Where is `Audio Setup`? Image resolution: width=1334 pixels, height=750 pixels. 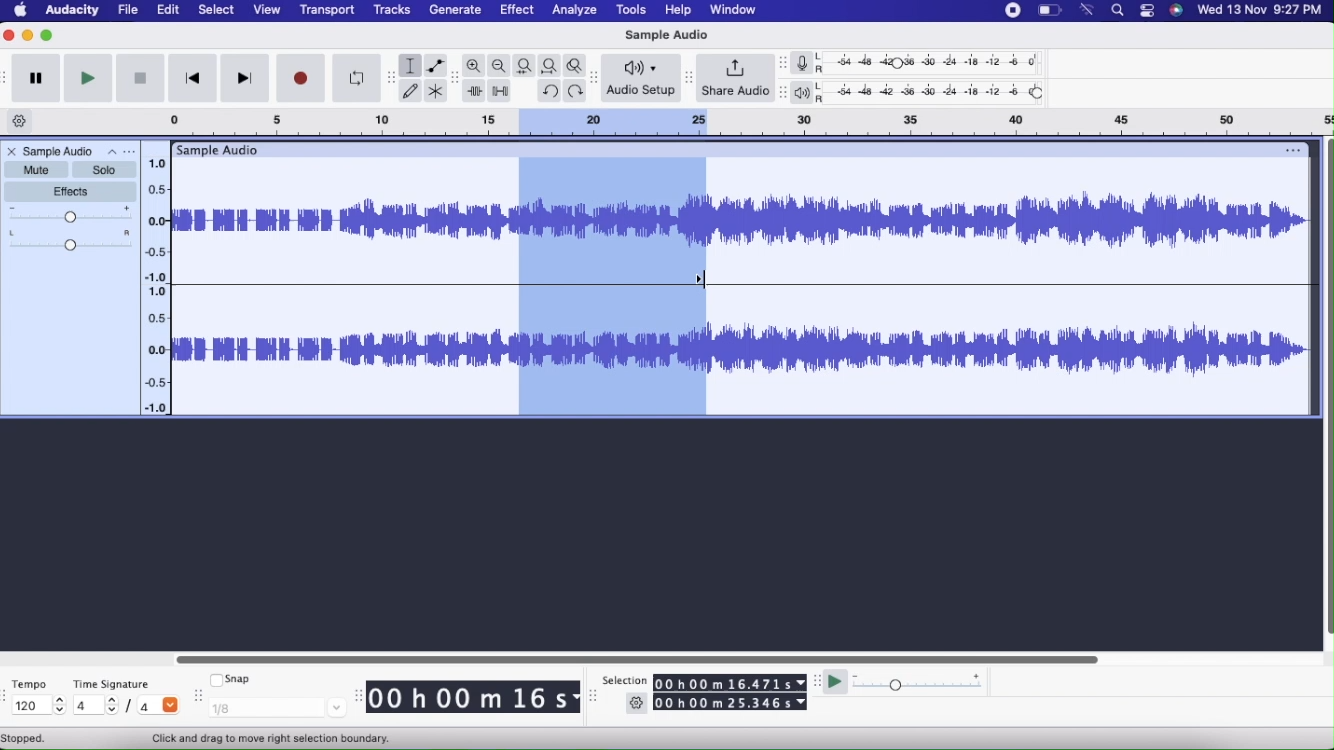
Audio Setup is located at coordinates (642, 77).